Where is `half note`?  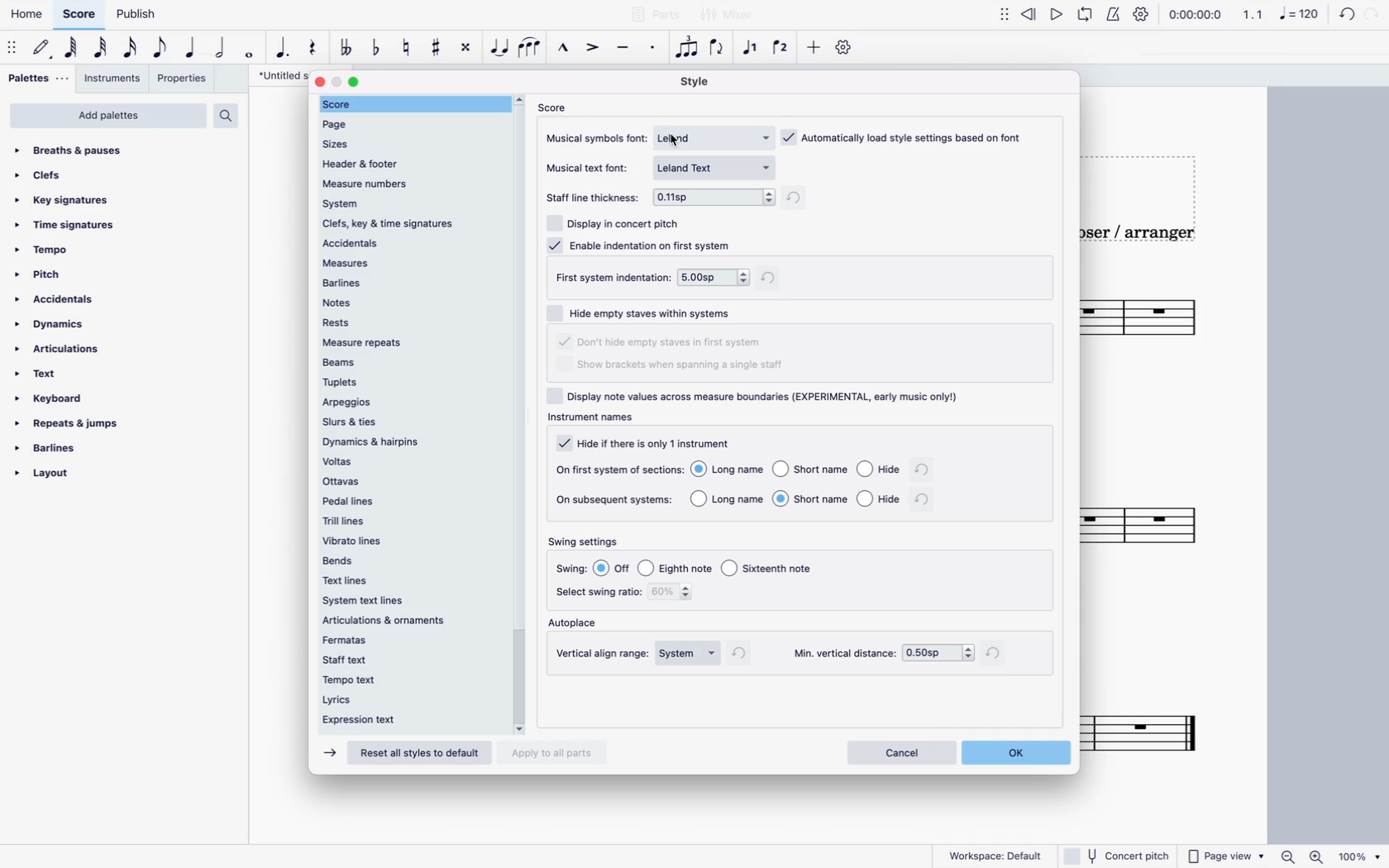 half note is located at coordinates (223, 53).